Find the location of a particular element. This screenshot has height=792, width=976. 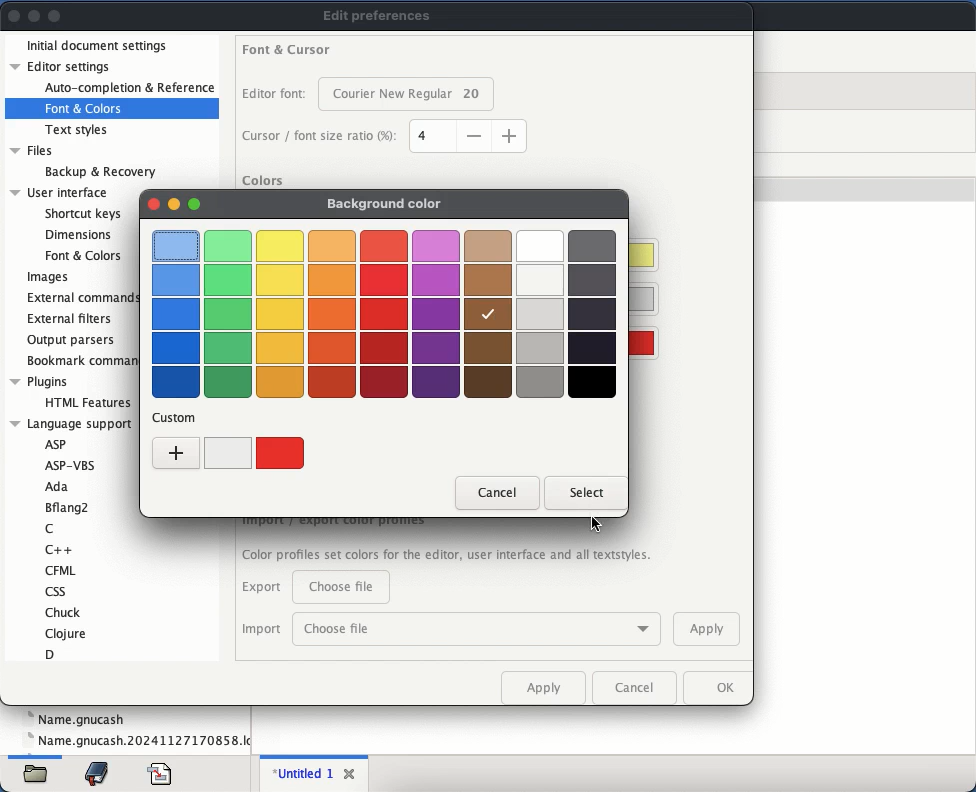

import is located at coordinates (261, 630).